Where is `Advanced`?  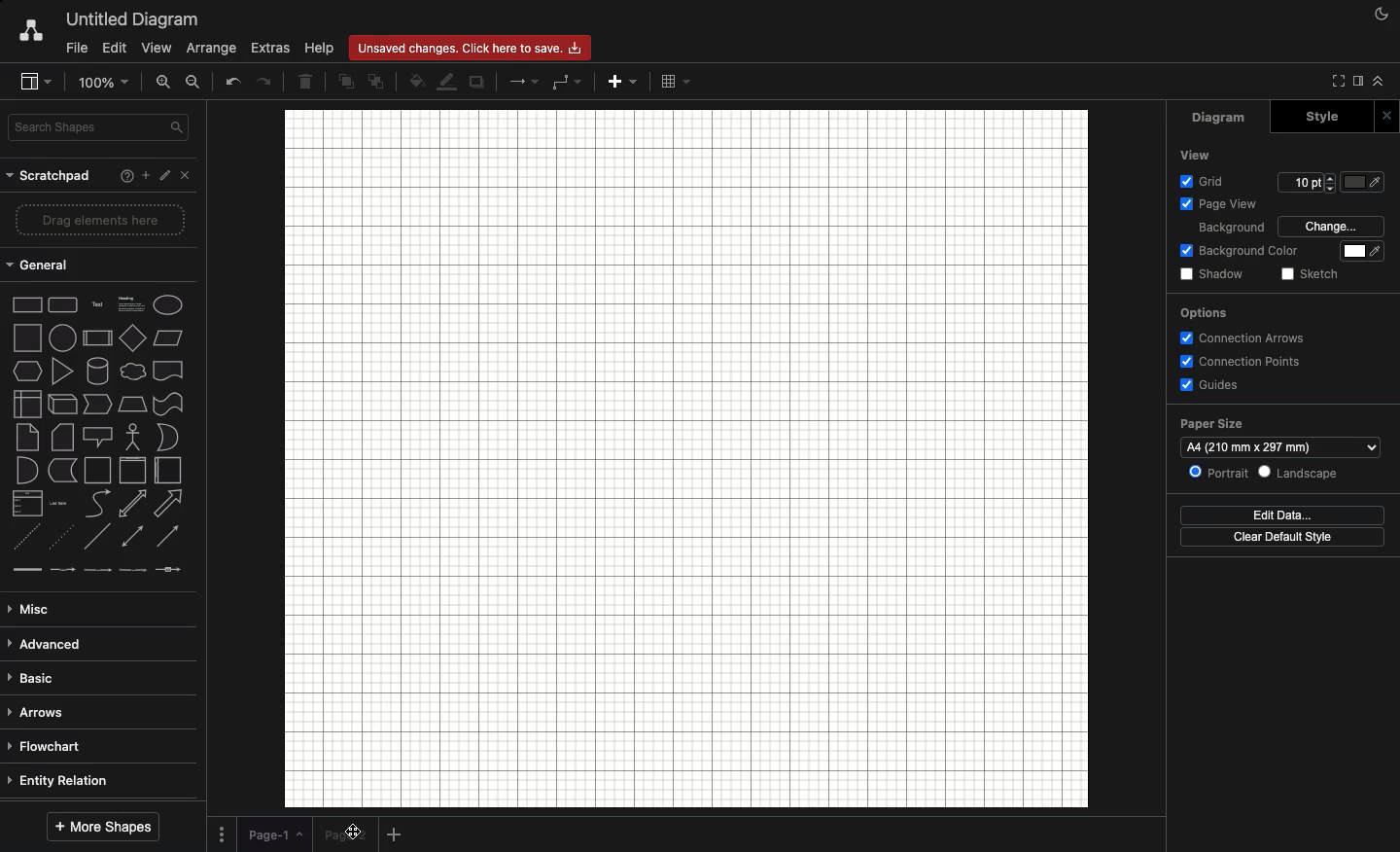
Advanced is located at coordinates (46, 645).